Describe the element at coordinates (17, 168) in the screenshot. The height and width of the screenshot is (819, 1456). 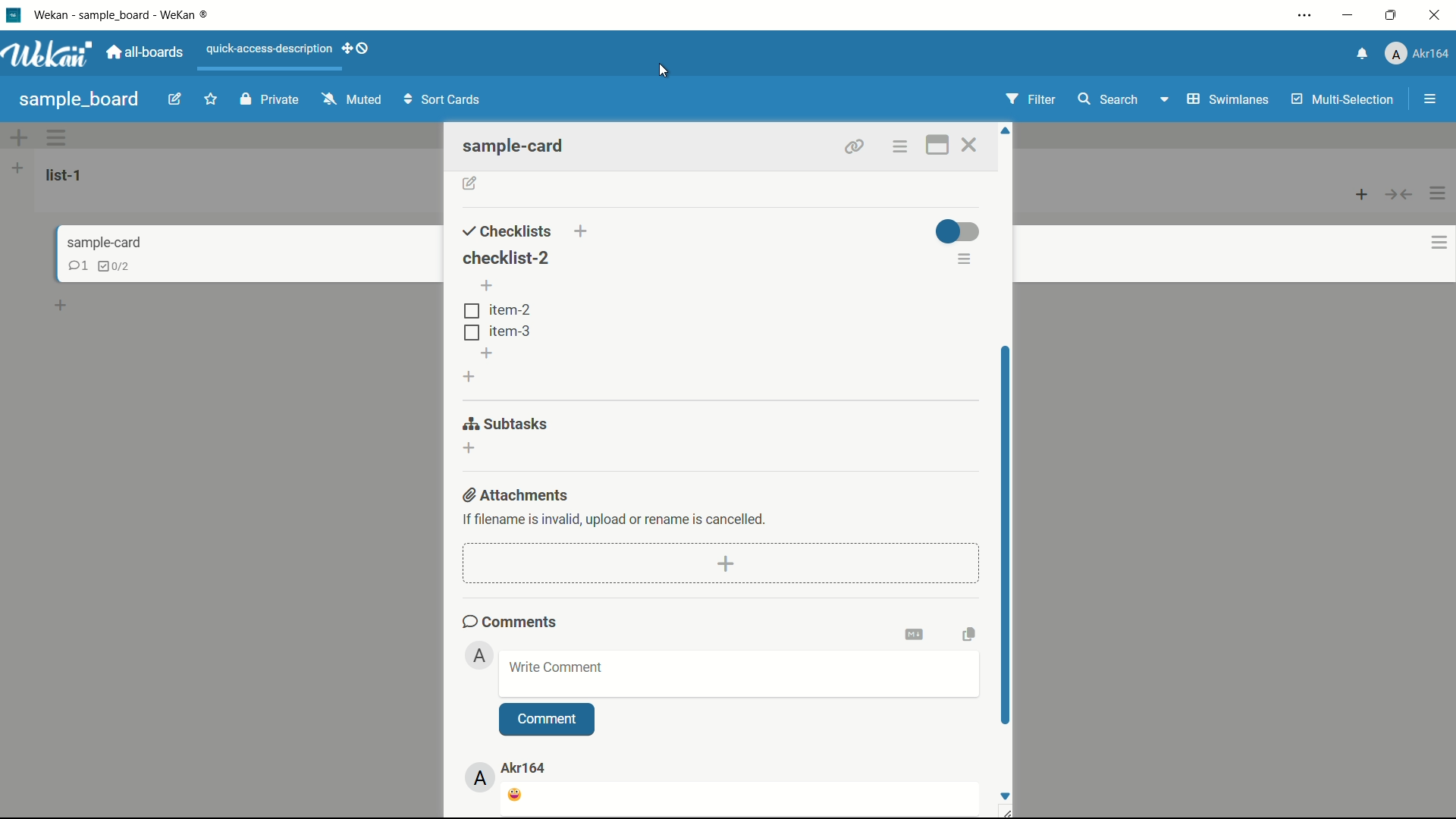
I see `add list` at that location.